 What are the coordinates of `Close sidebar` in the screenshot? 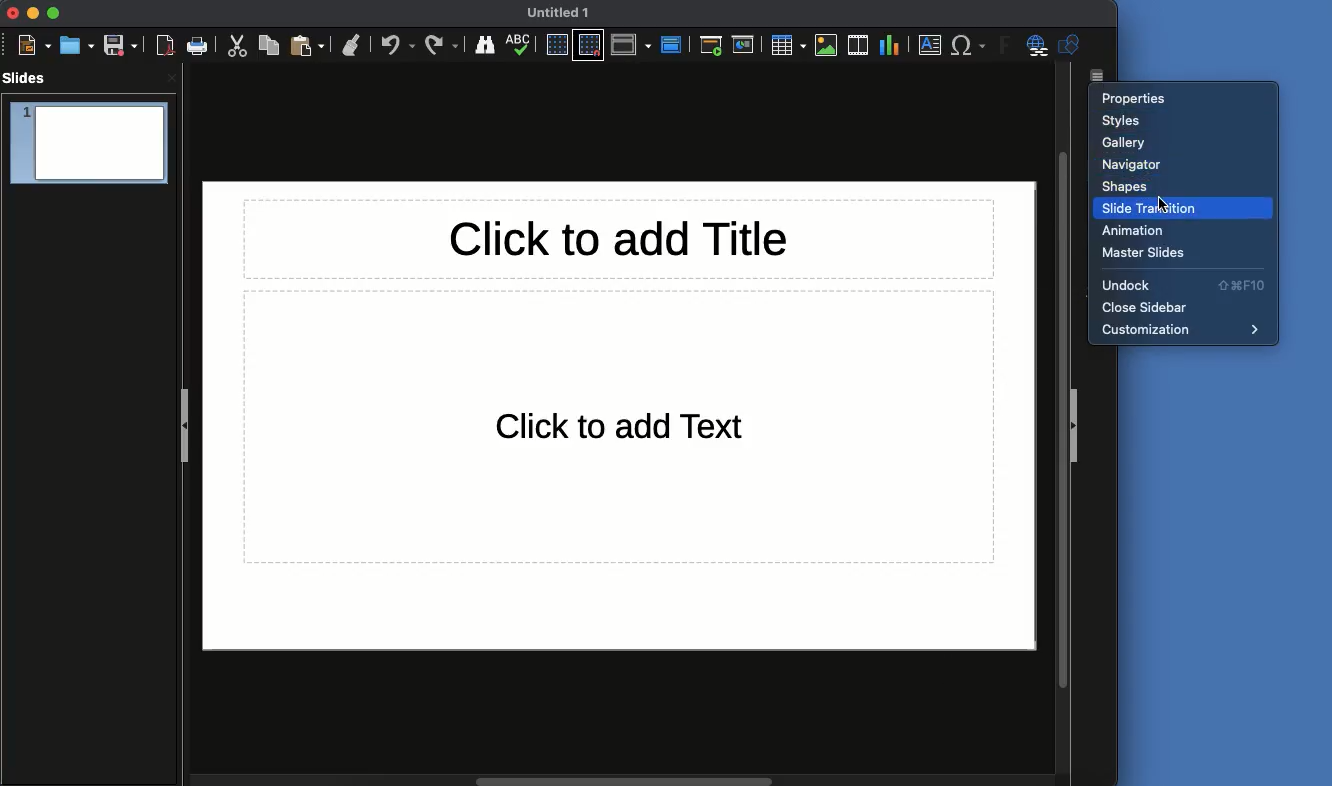 It's located at (1147, 307).